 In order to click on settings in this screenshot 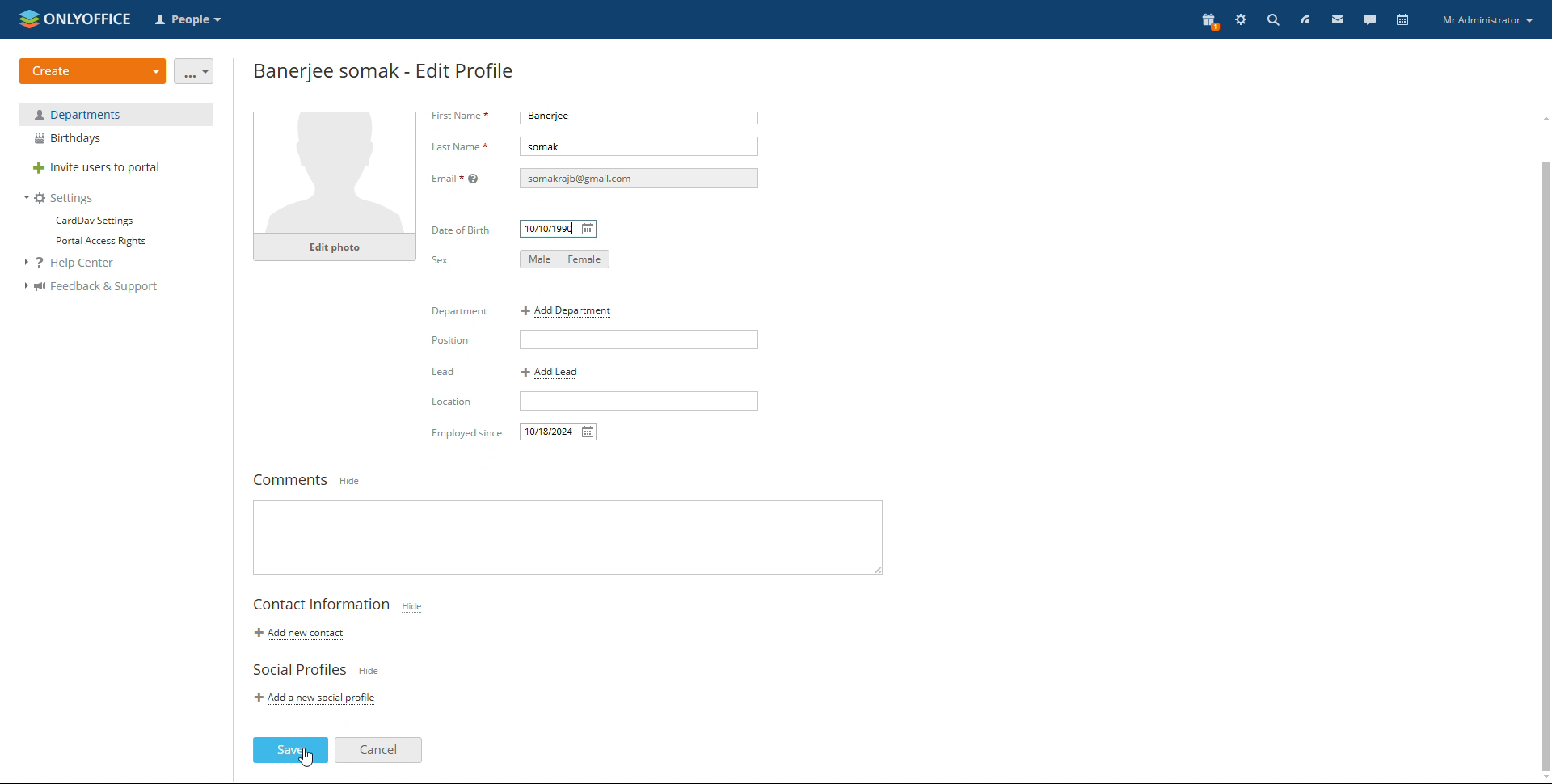, I will do `click(60, 198)`.